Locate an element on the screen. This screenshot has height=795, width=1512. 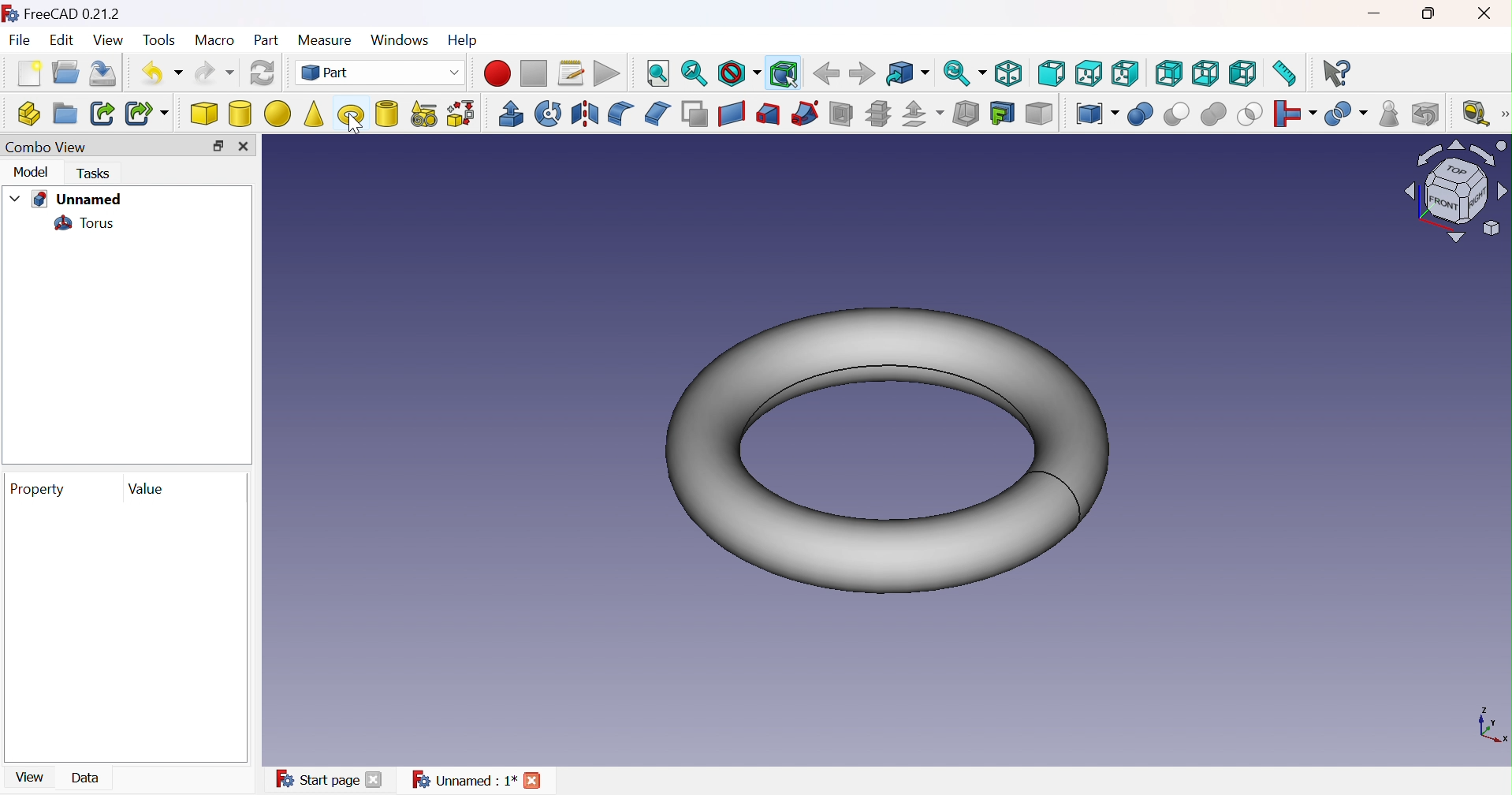
Shape builder is located at coordinates (464, 114).